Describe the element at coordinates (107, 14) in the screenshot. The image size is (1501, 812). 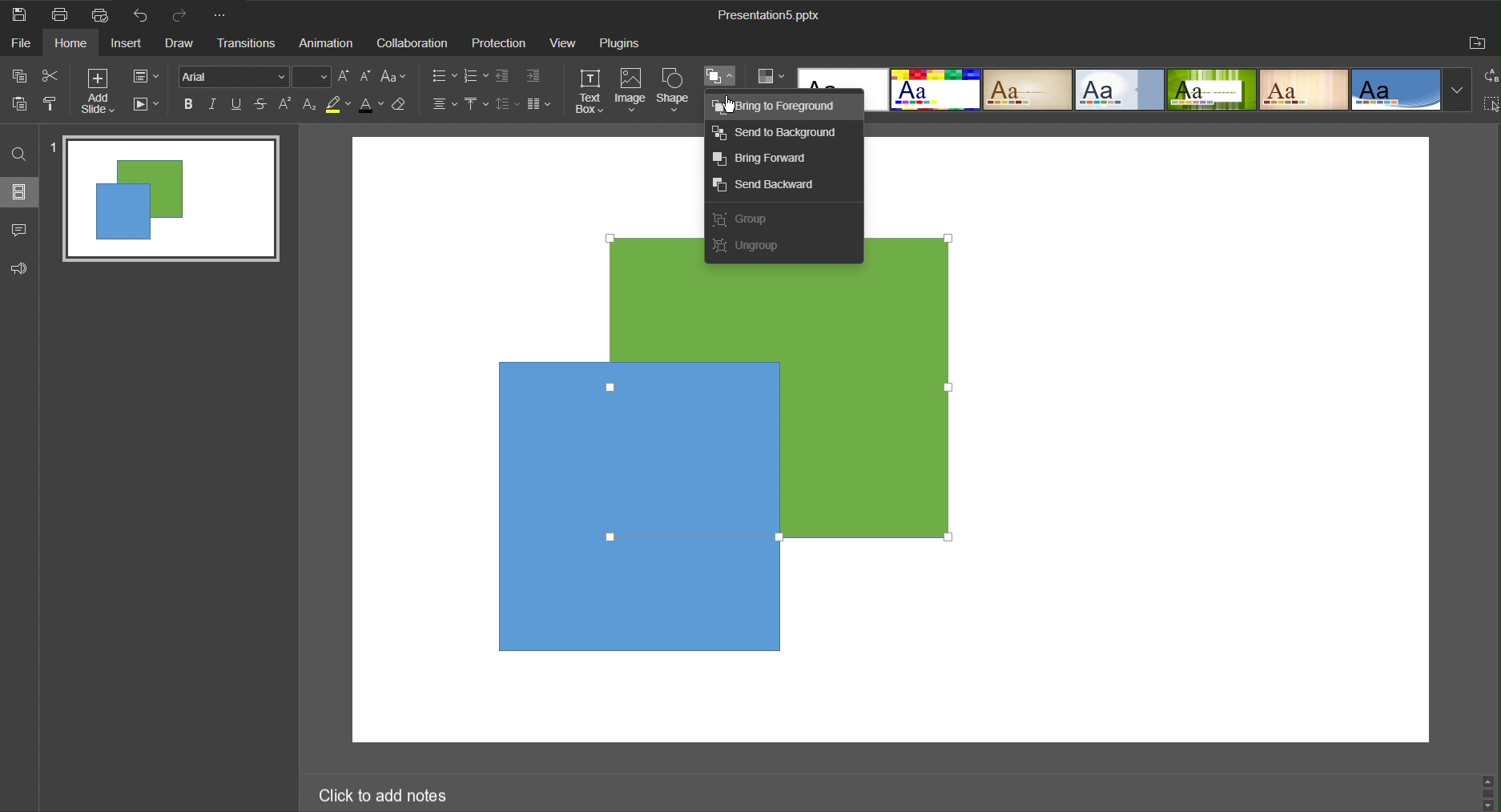
I see `Quick Print` at that location.